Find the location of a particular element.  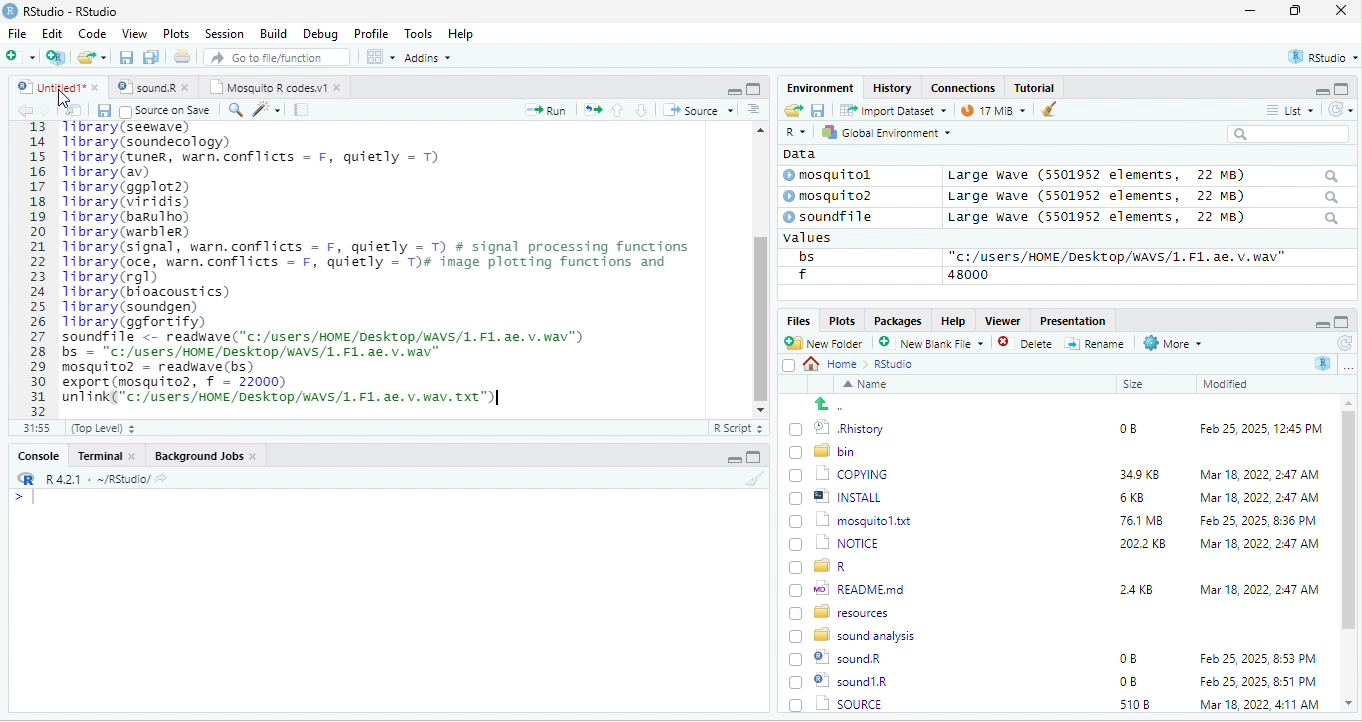

| SOURCE is located at coordinates (848, 681).